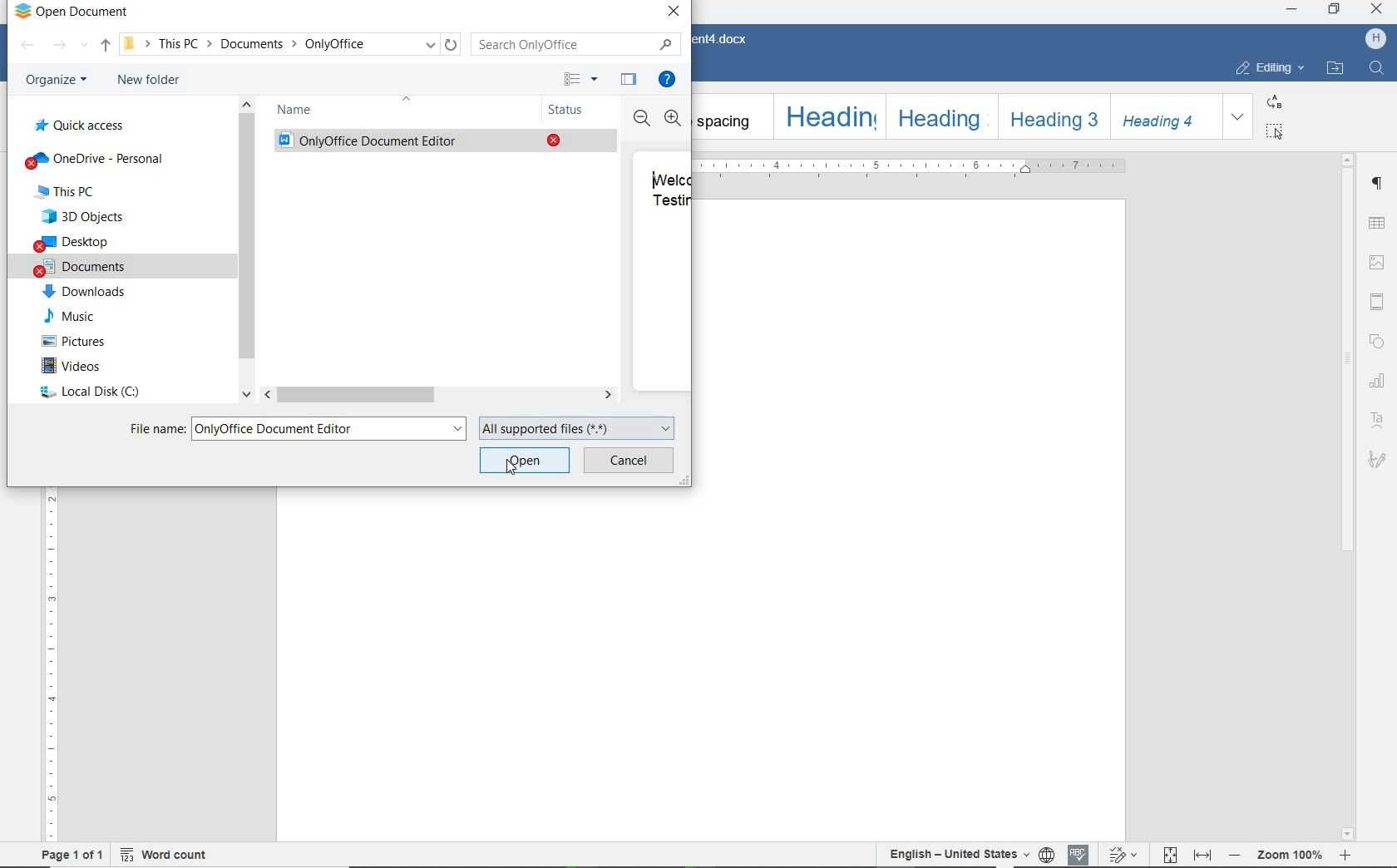 Image resolution: width=1397 pixels, height=868 pixels. I want to click on set document language, so click(1047, 856).